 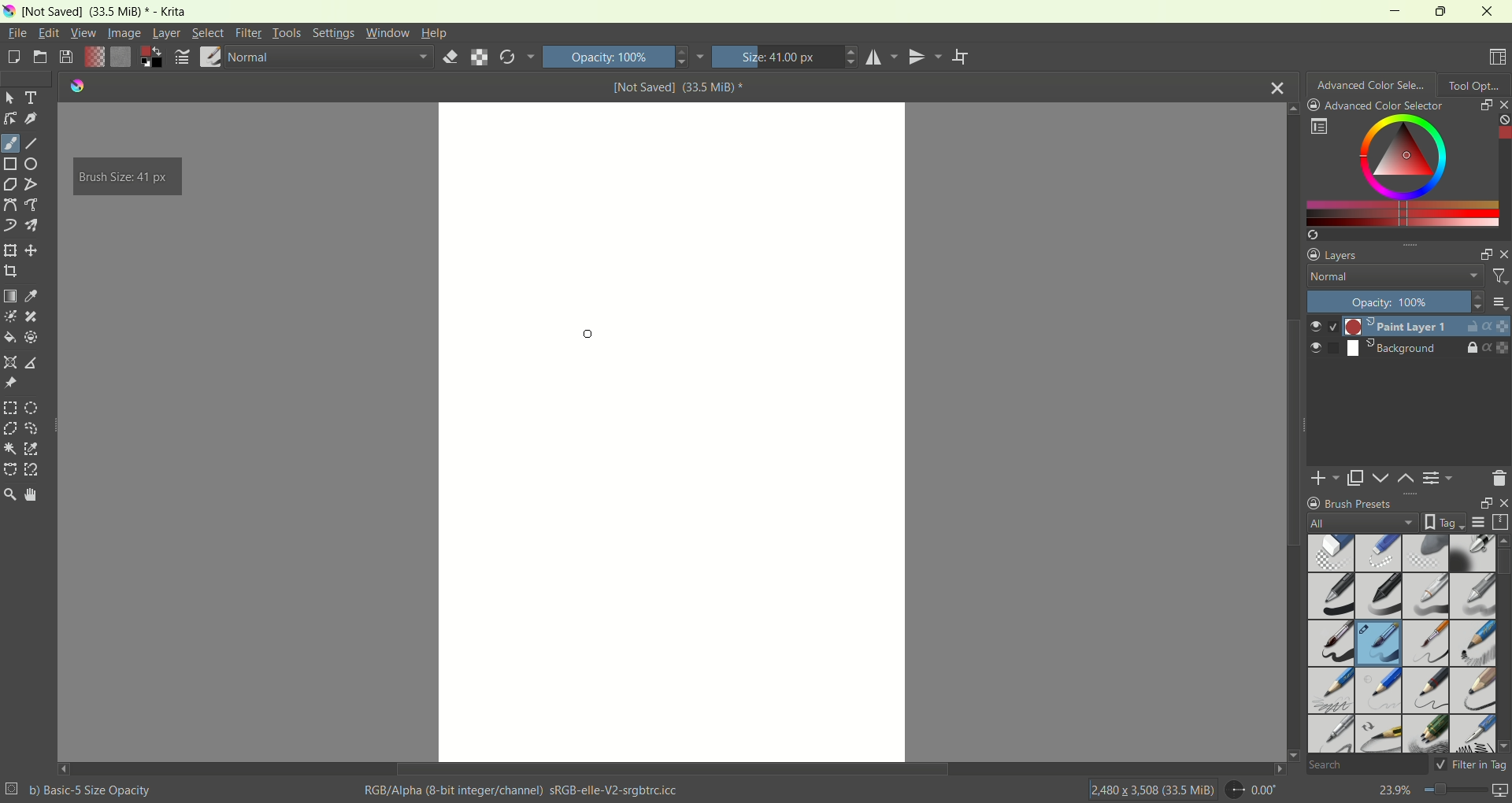 I want to click on multibrush, so click(x=31, y=225).